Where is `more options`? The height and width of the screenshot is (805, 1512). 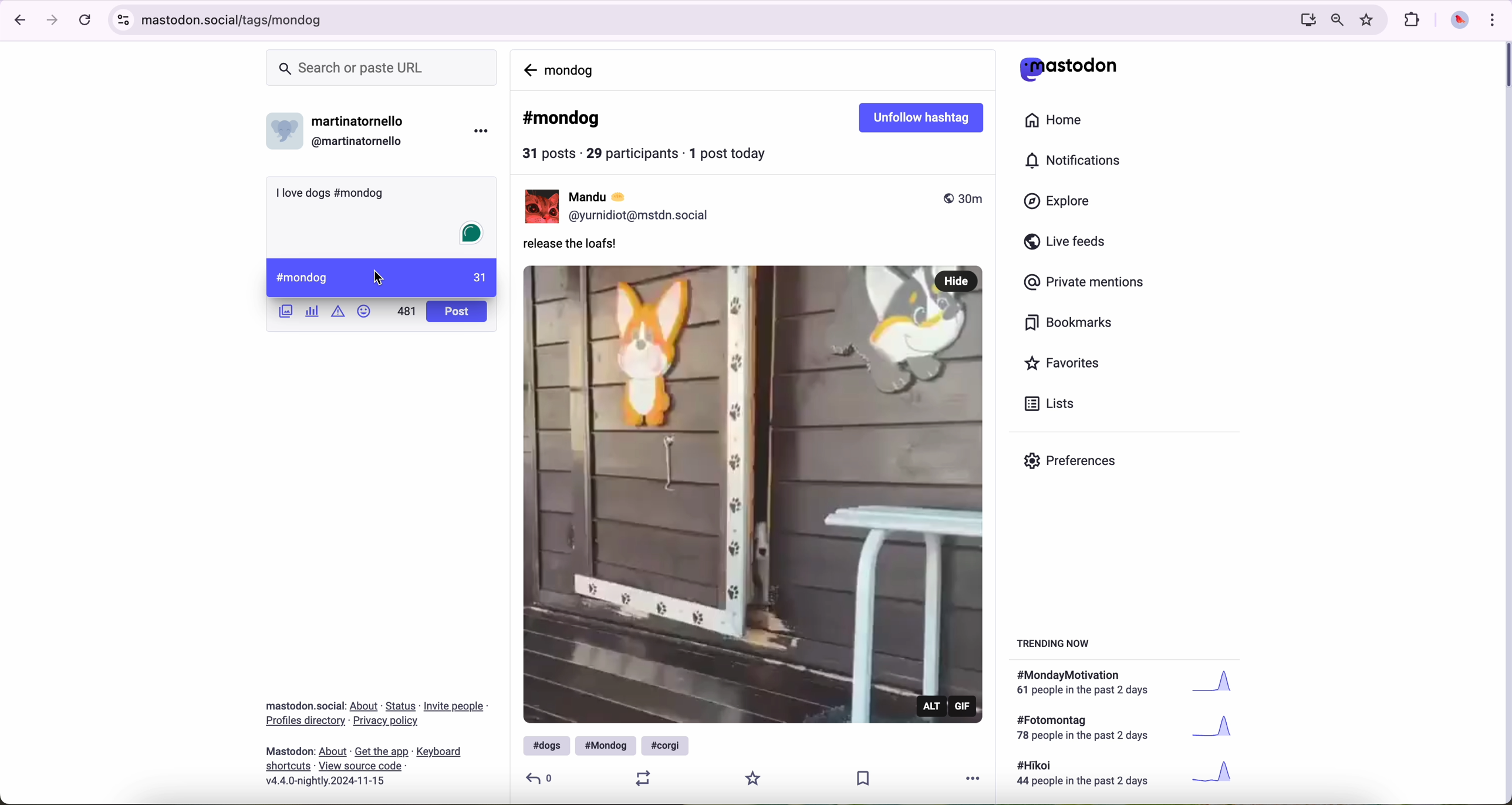 more options is located at coordinates (978, 777).